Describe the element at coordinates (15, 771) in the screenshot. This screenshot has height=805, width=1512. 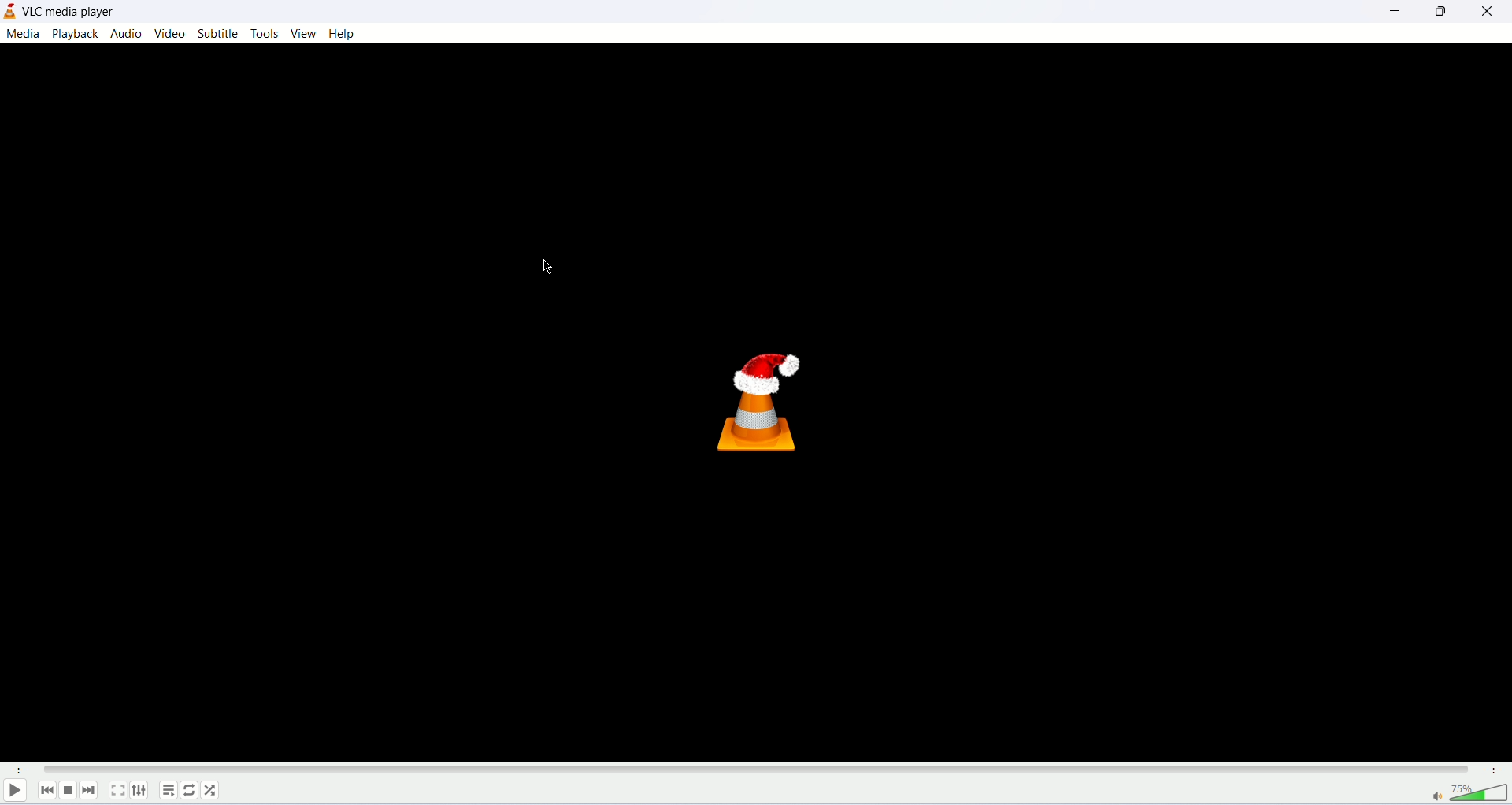
I see `played time` at that location.